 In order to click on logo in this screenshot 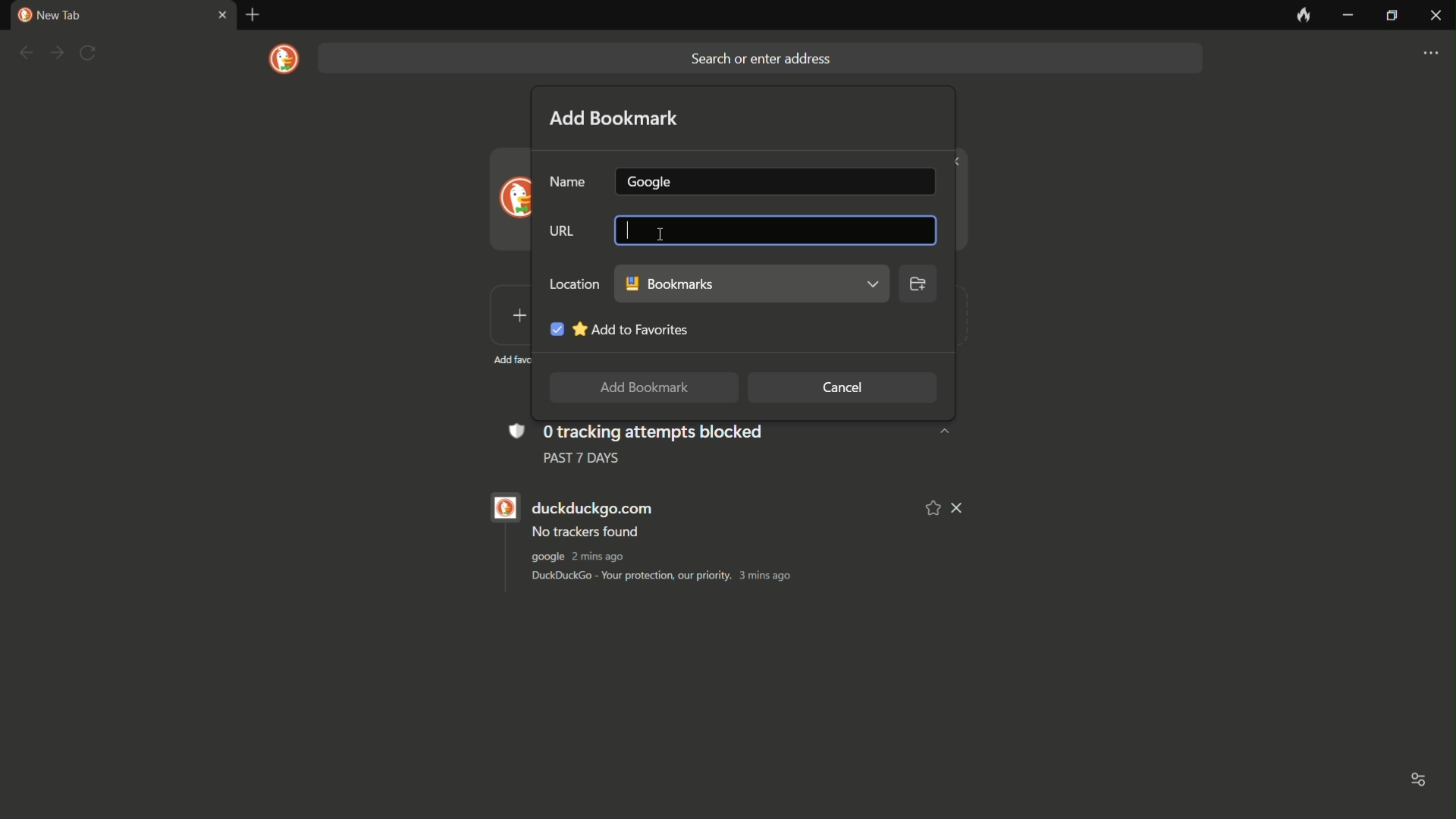, I will do `click(285, 59)`.